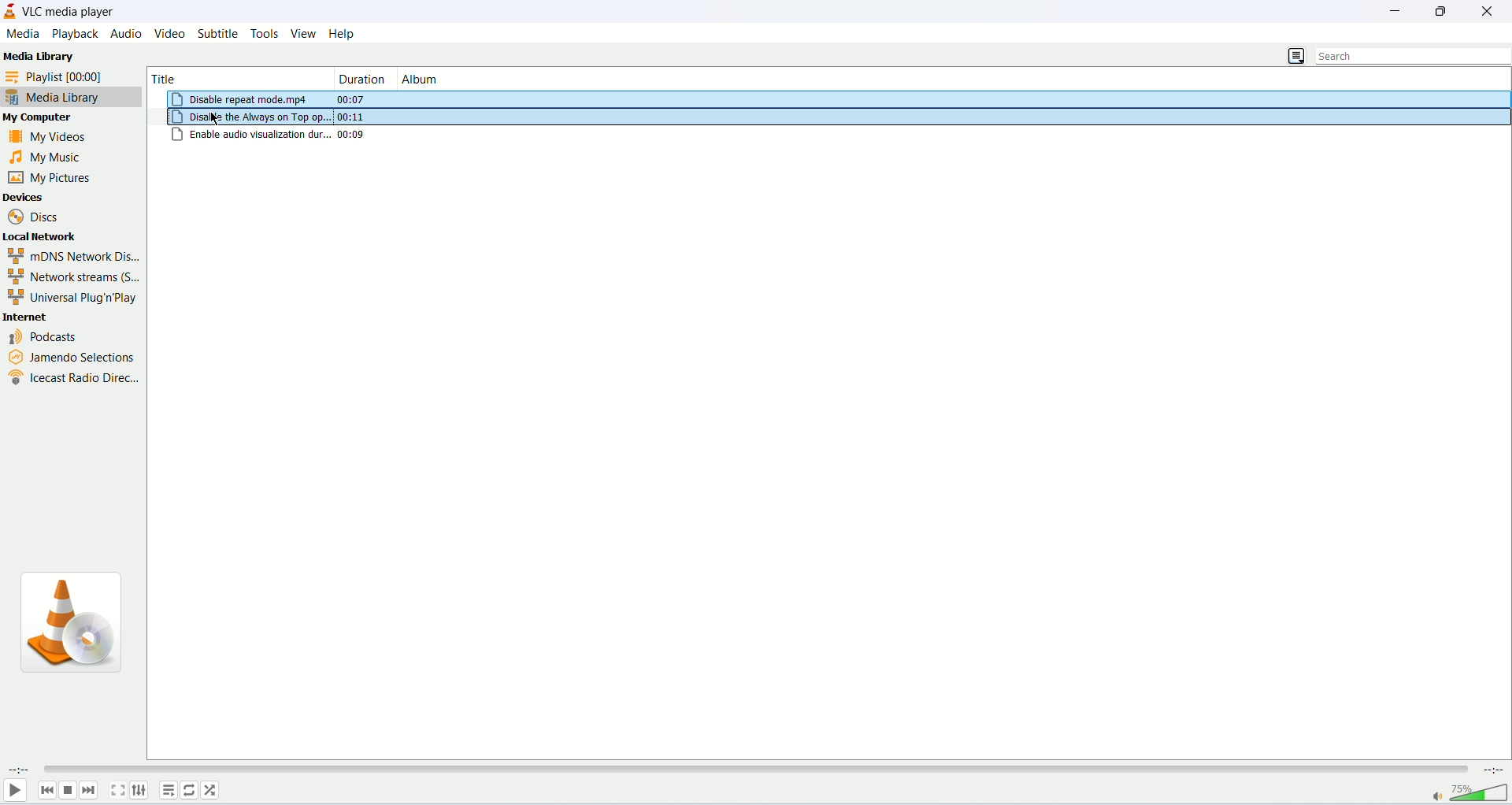 This screenshot has width=1512, height=805. I want to click on 00:07, so click(355, 99).